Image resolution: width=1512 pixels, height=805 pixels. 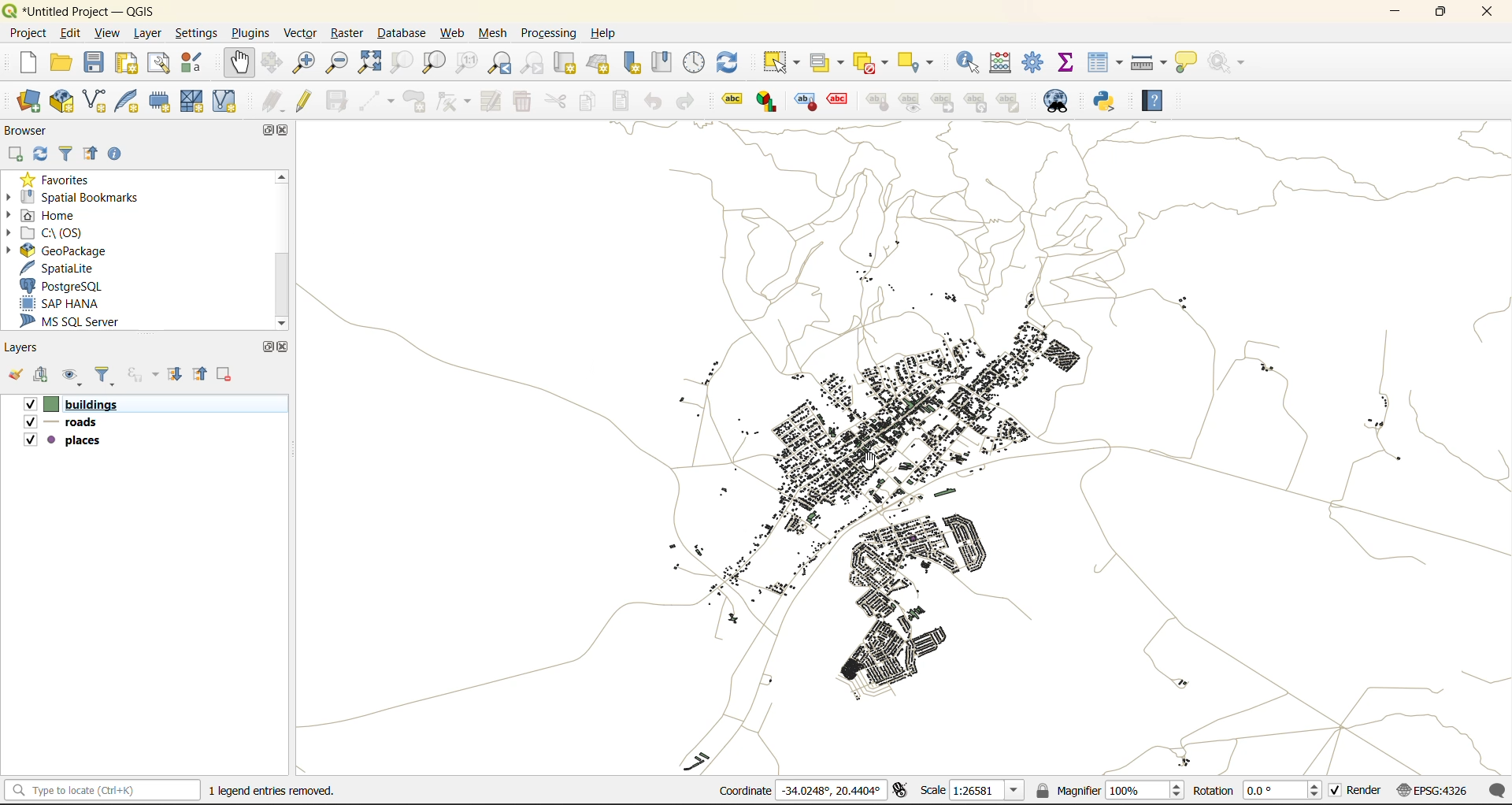 I want to click on save edits, so click(x=336, y=101).